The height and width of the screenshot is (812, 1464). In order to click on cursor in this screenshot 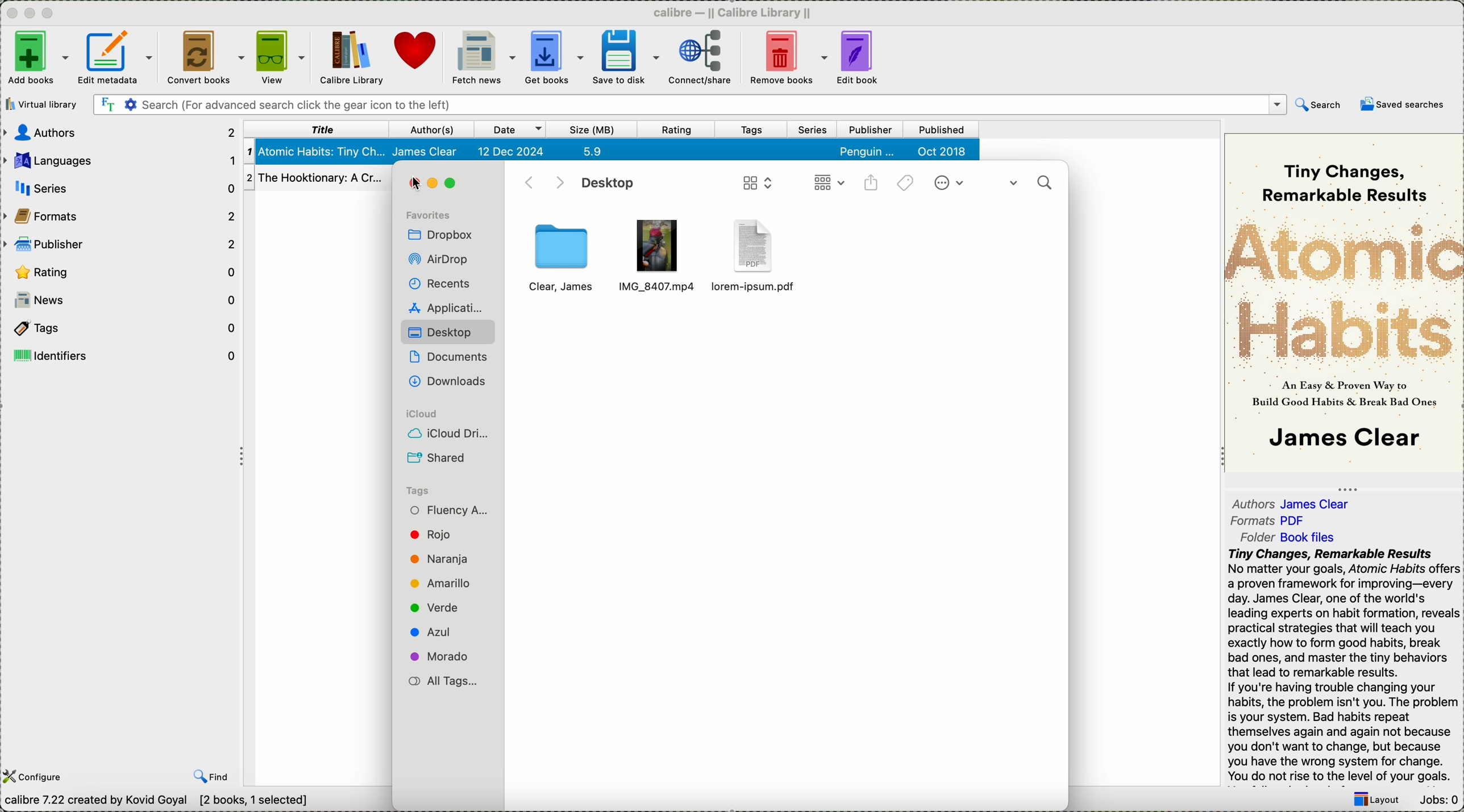, I will do `click(419, 180)`.